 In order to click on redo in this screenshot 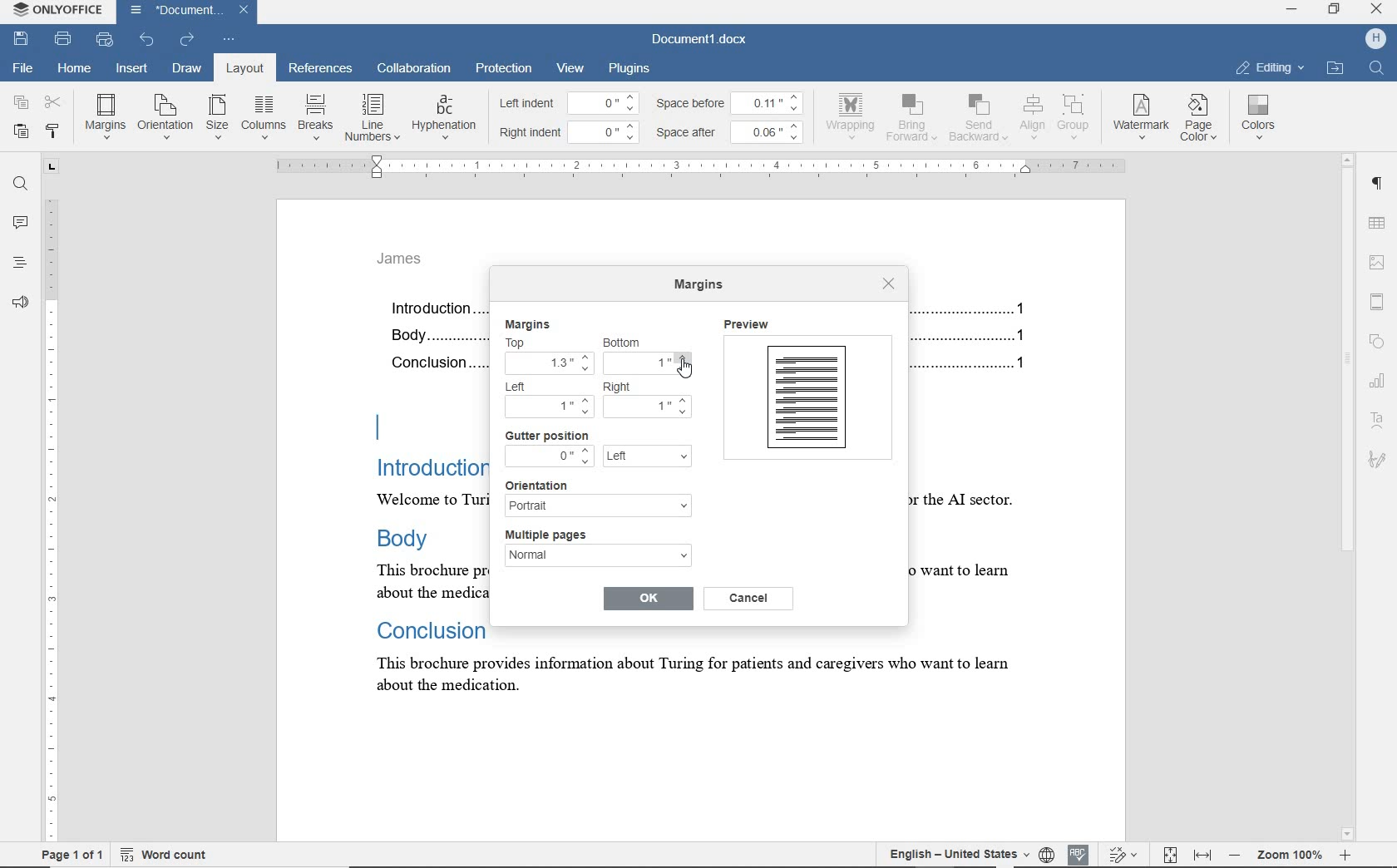, I will do `click(187, 40)`.